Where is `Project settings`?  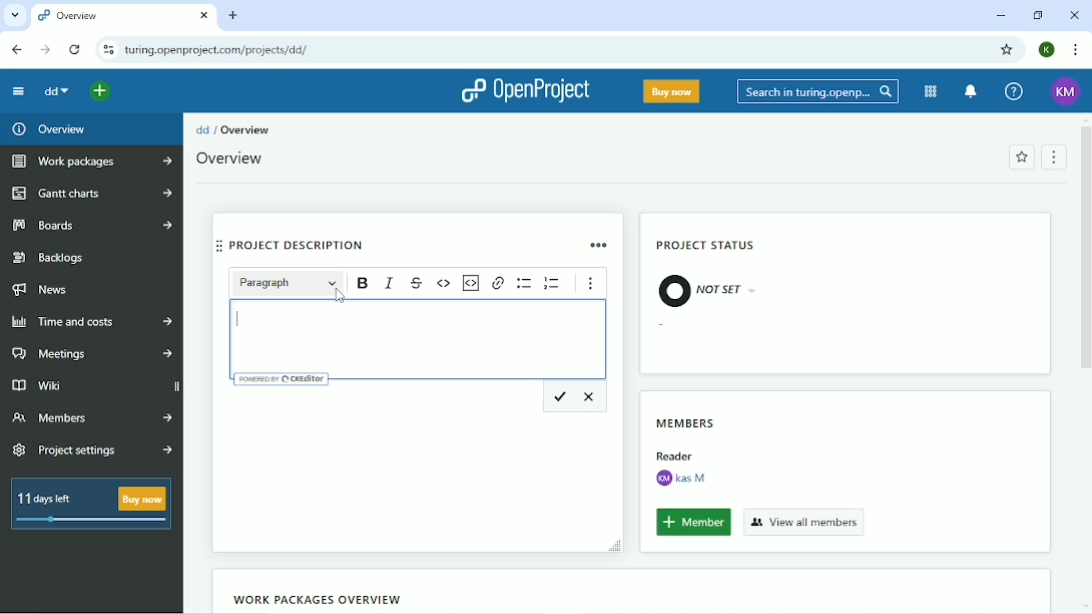
Project settings is located at coordinates (94, 451).